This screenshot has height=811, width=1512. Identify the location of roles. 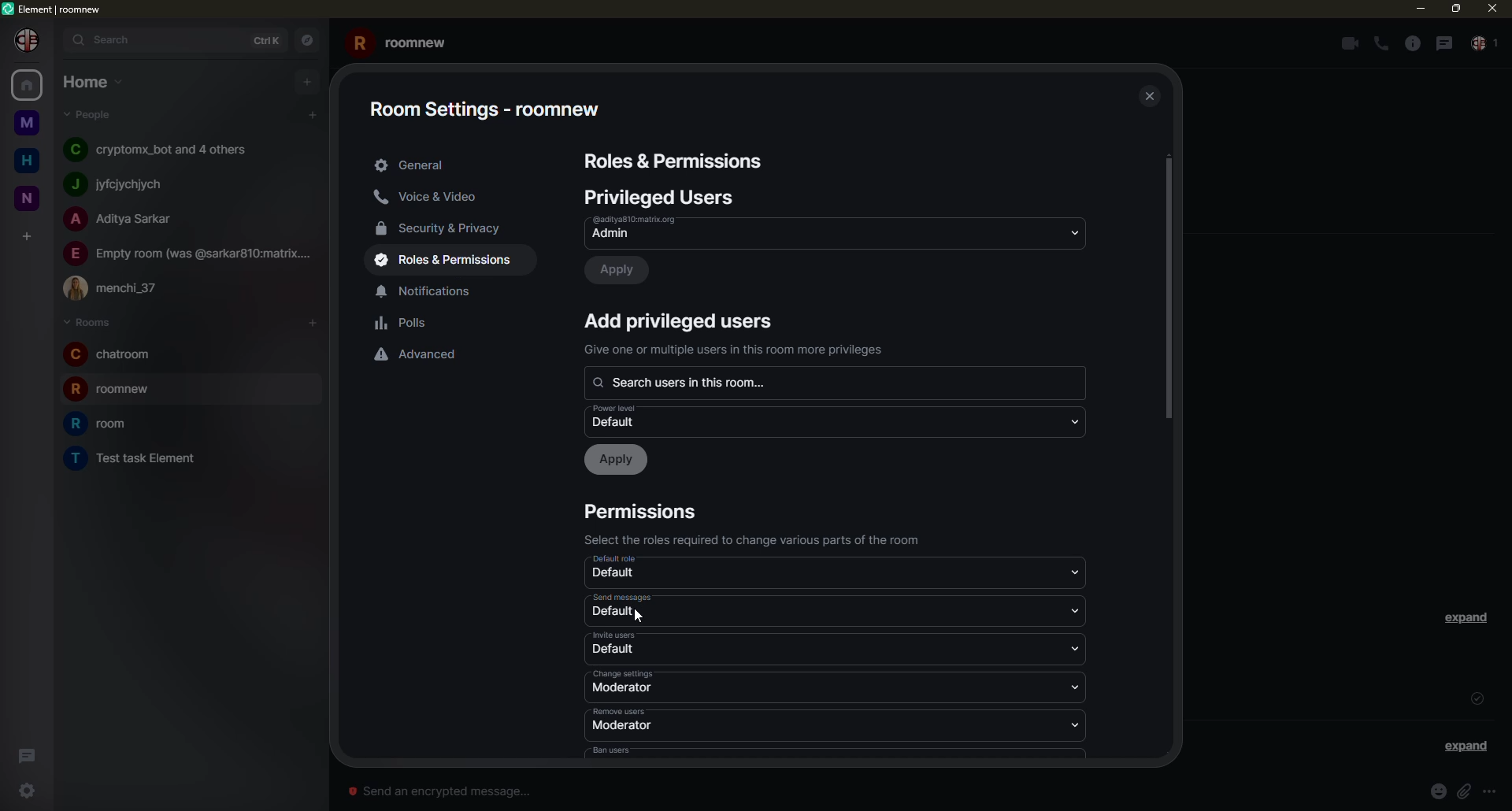
(450, 261).